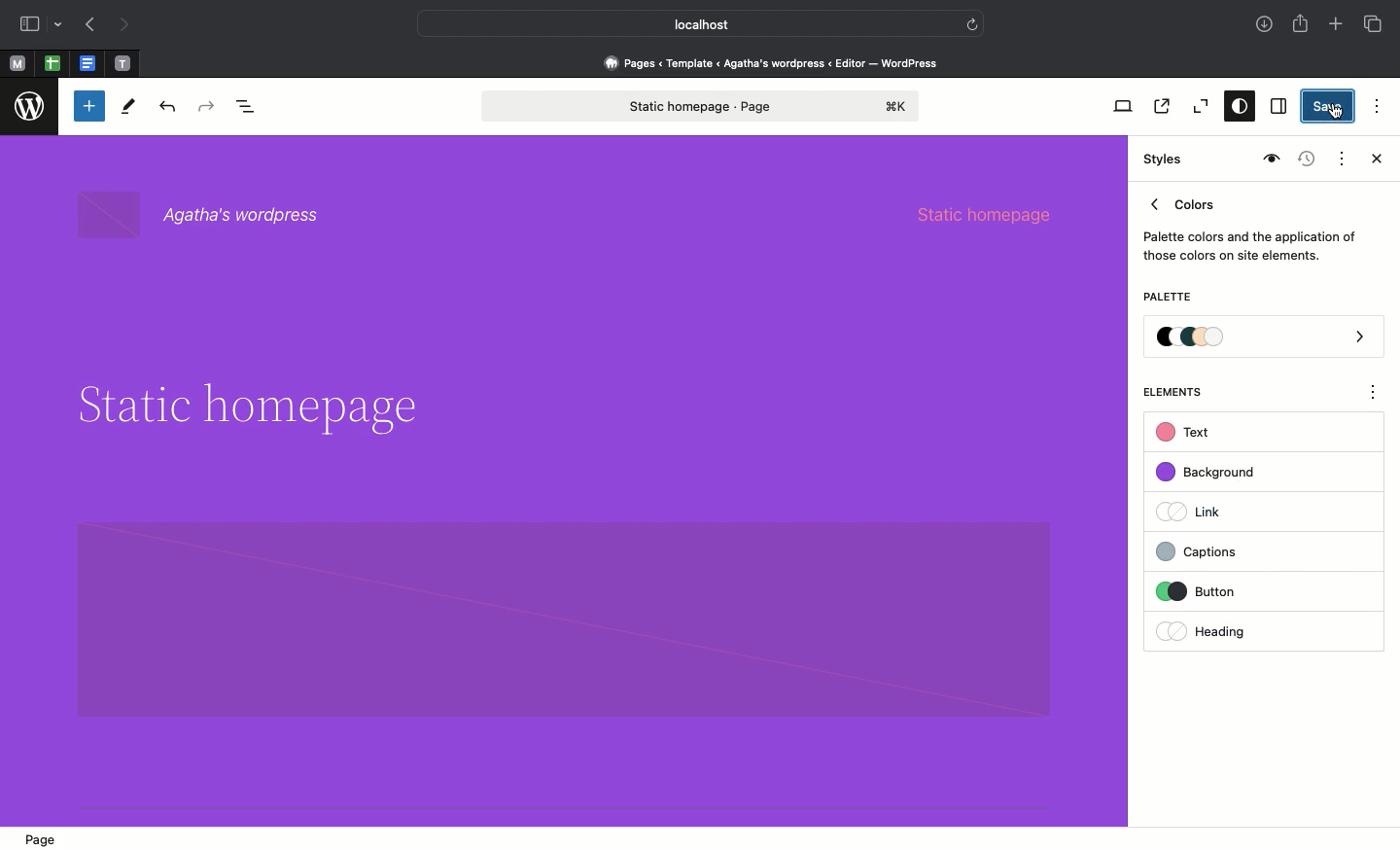 The image size is (1400, 850). Describe the element at coordinates (1375, 24) in the screenshot. I see `Tabs` at that location.